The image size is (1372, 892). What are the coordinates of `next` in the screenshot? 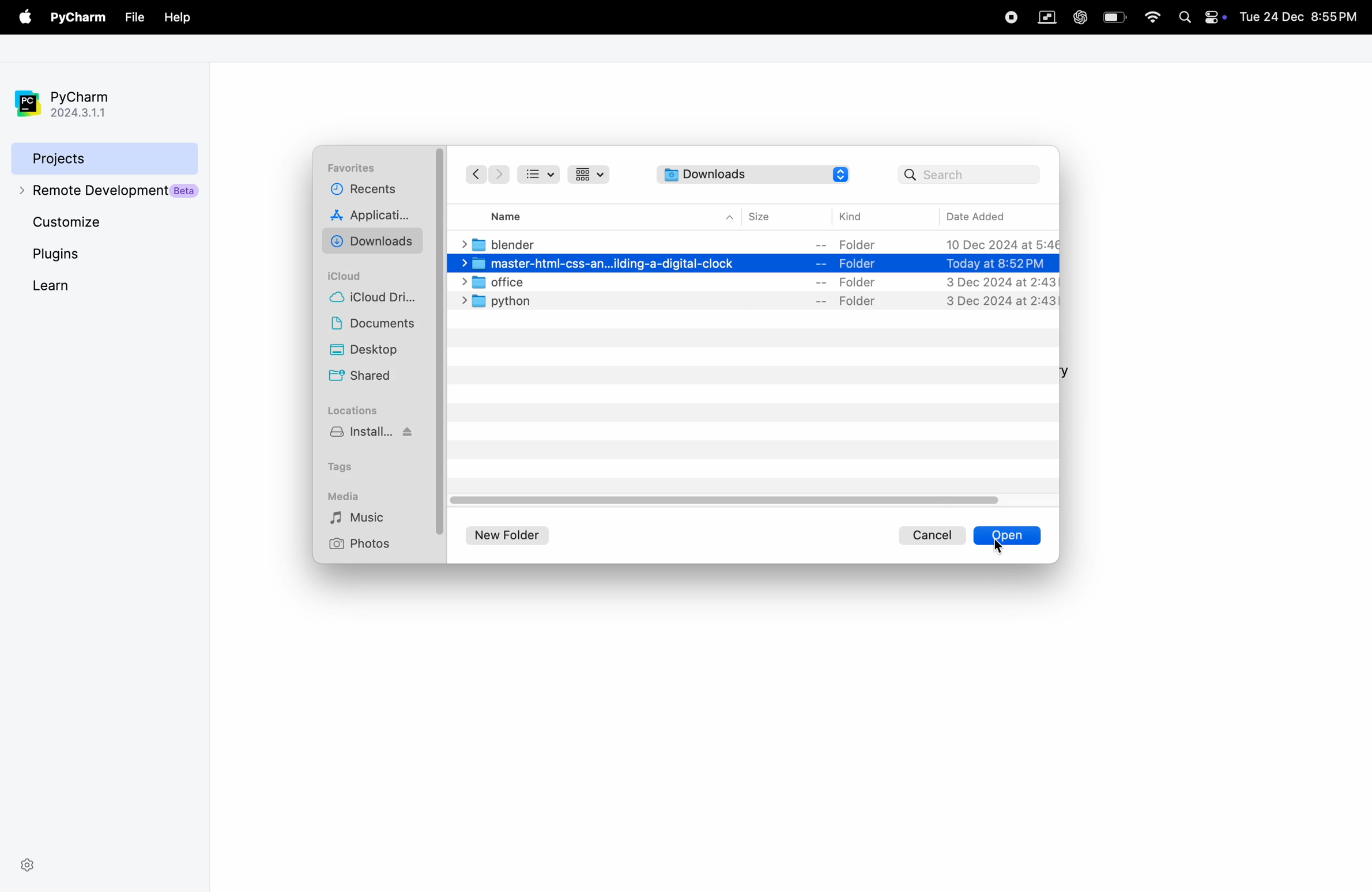 It's located at (499, 175).